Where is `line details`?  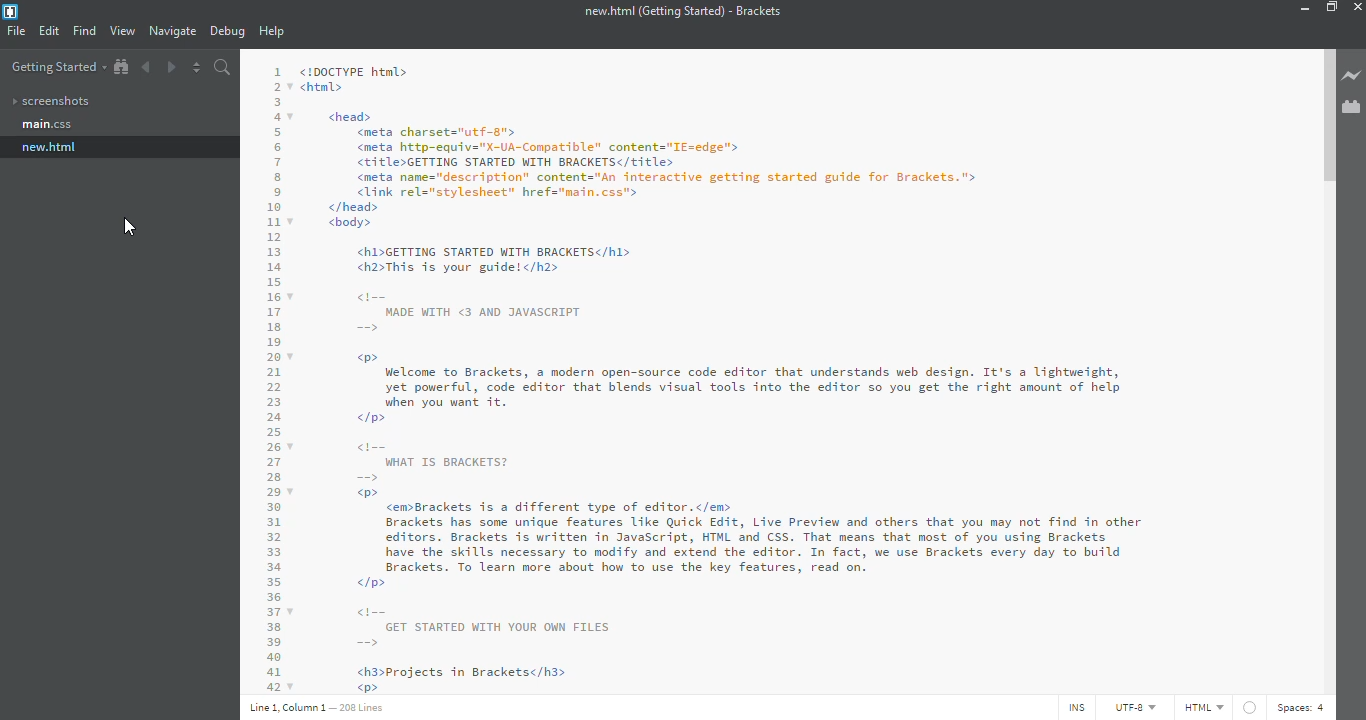
line details is located at coordinates (315, 707).